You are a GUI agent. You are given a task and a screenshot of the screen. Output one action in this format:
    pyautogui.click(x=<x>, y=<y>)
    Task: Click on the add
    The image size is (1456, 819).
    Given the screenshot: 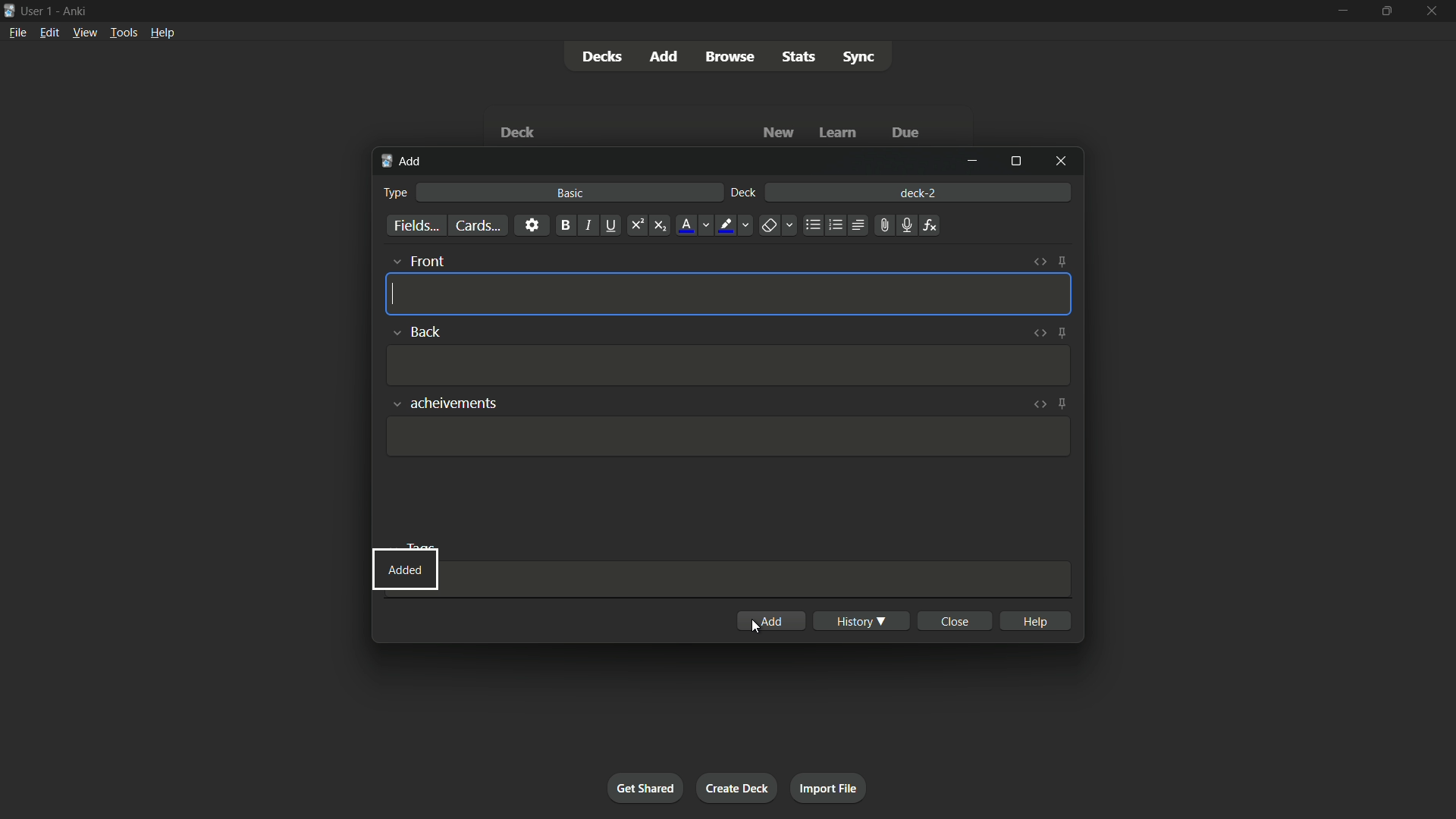 What is the action you would take?
    pyautogui.click(x=401, y=162)
    